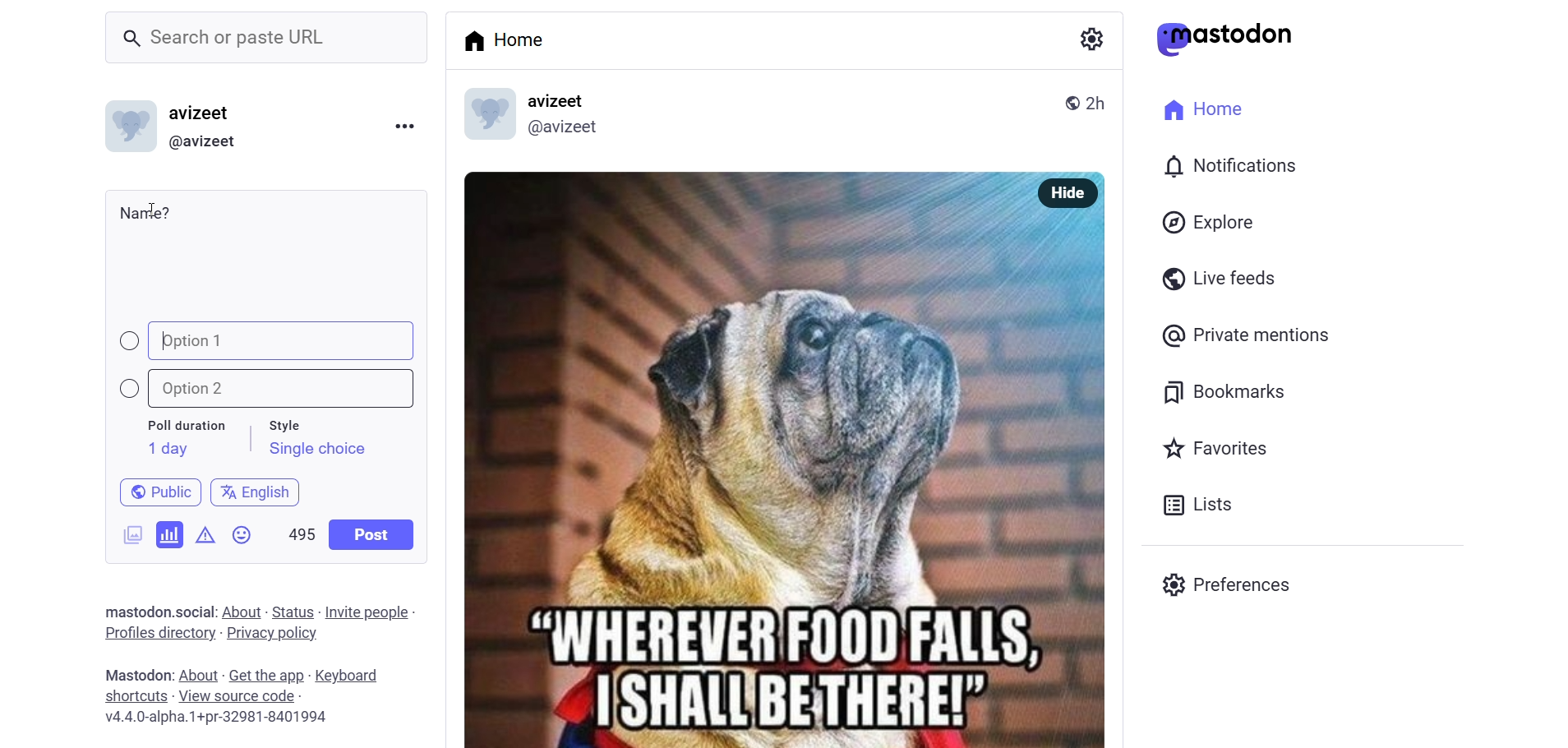  I want to click on mastodon, so click(133, 609).